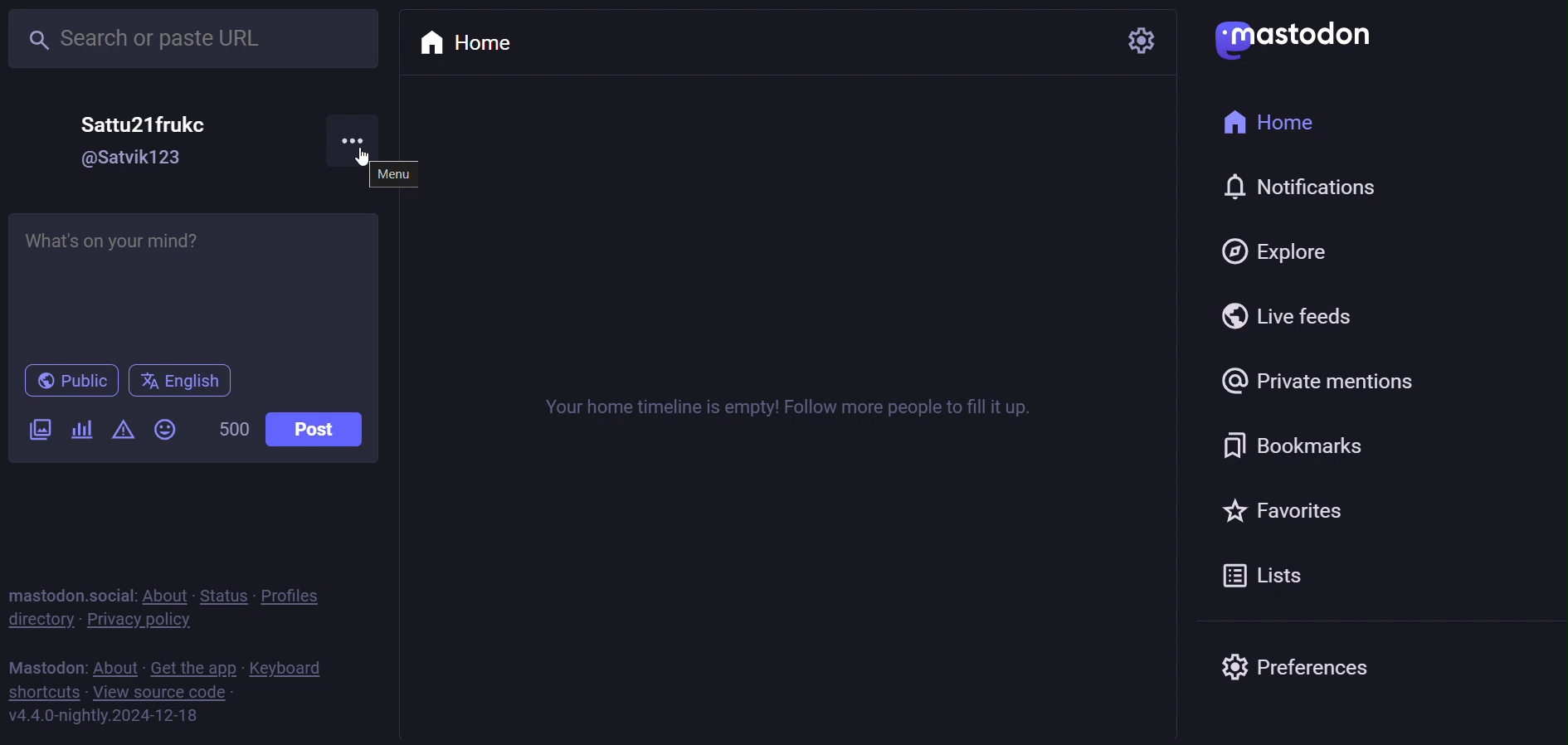 The height and width of the screenshot is (745, 1568). Describe the element at coordinates (304, 596) in the screenshot. I see `profiles` at that location.